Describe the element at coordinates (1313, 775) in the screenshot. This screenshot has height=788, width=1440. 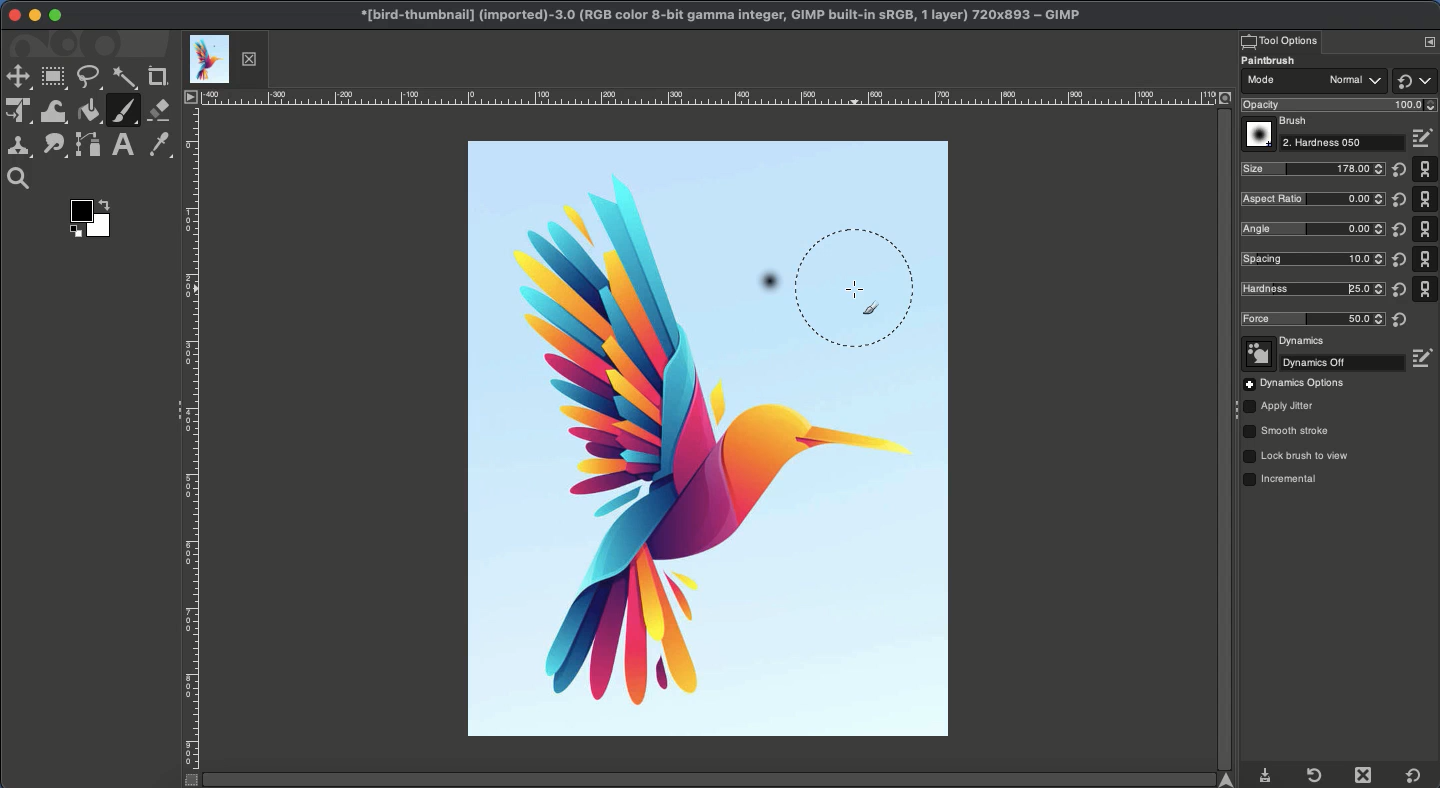
I see `Refresh` at that location.